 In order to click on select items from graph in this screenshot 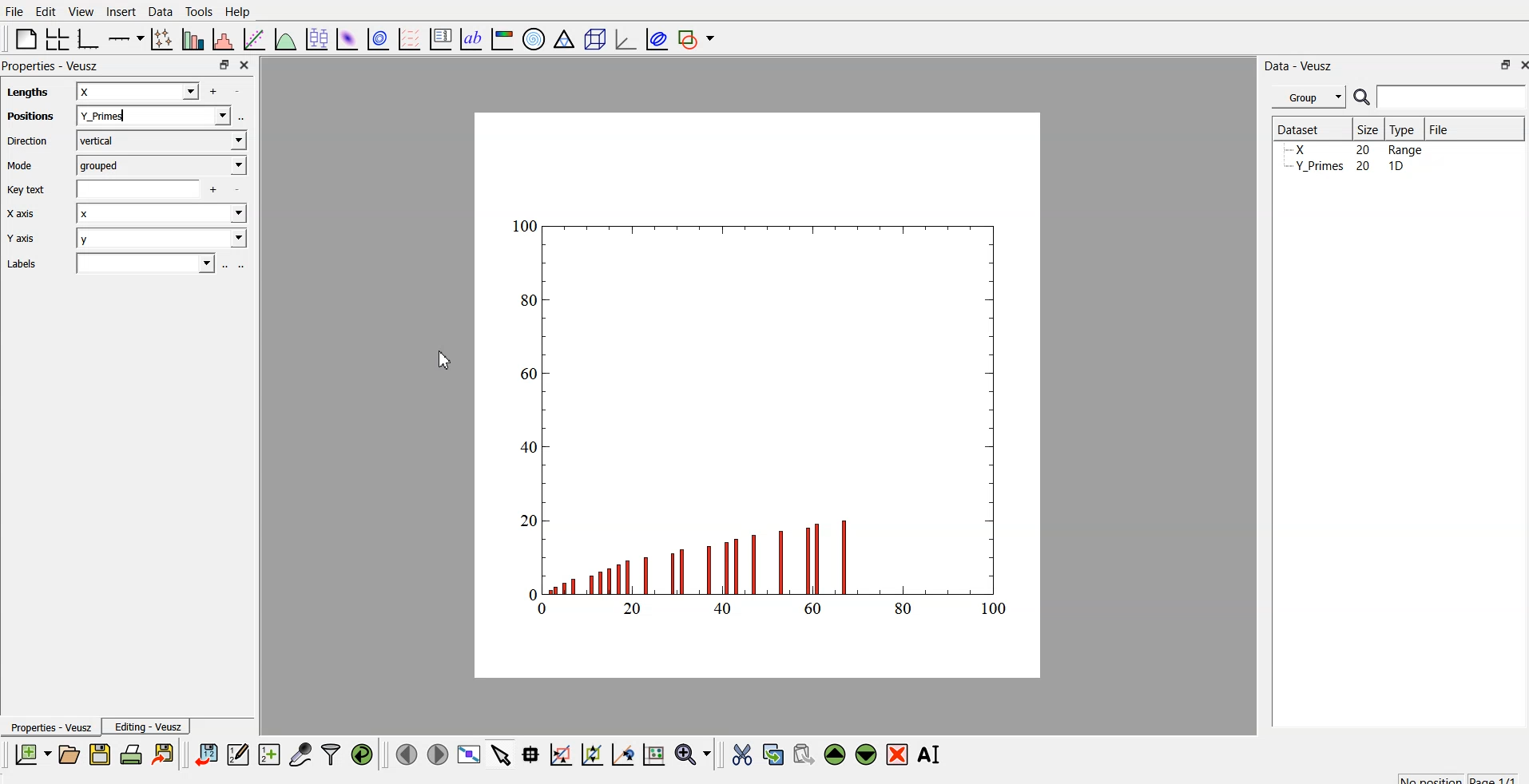, I will do `click(502, 754)`.